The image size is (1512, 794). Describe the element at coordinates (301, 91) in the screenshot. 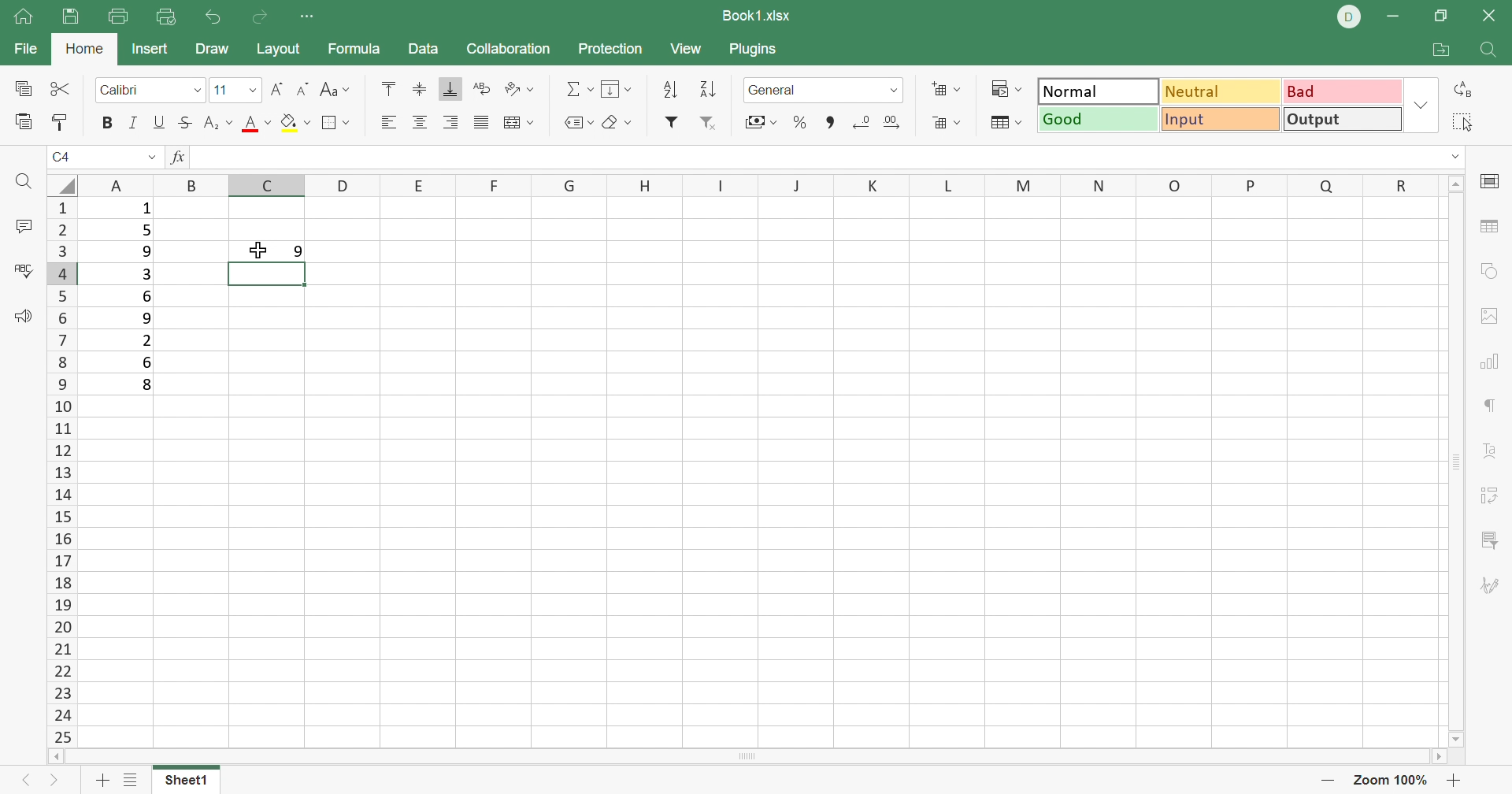

I see `Decrement font size` at that location.